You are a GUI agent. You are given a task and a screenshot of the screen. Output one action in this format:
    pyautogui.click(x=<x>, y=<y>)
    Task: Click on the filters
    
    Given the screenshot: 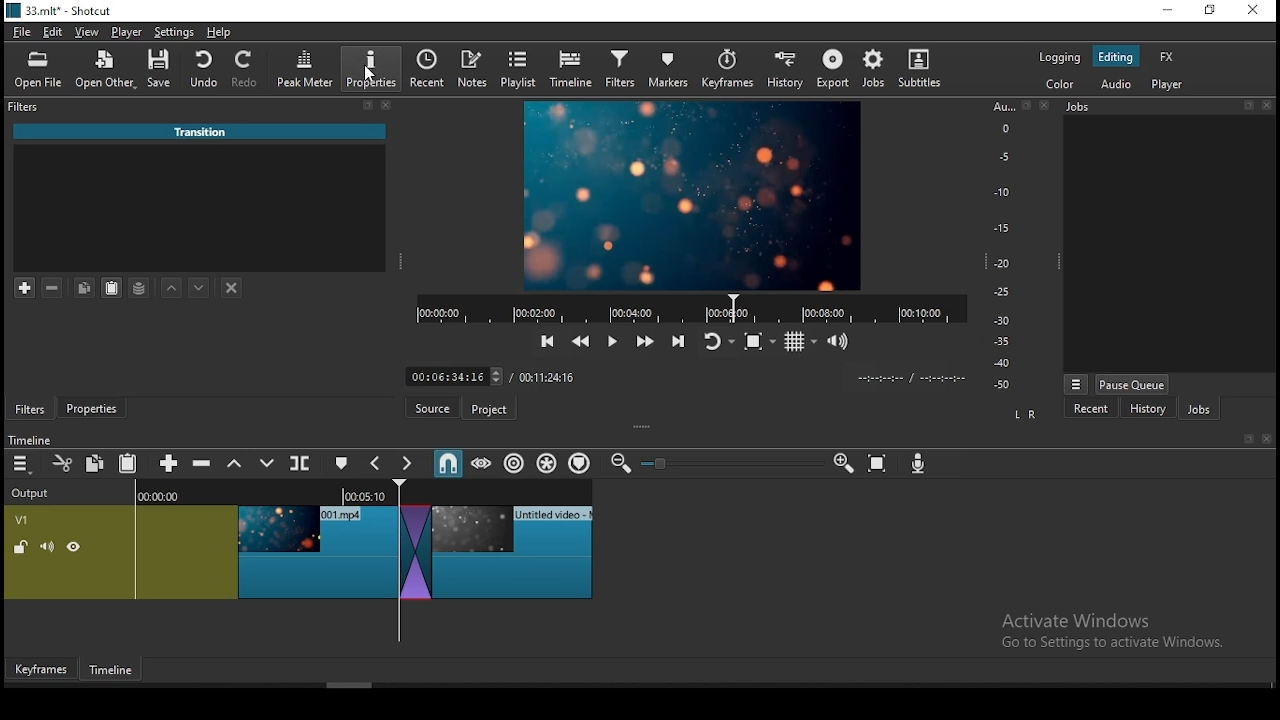 What is the action you would take?
    pyautogui.click(x=21, y=107)
    